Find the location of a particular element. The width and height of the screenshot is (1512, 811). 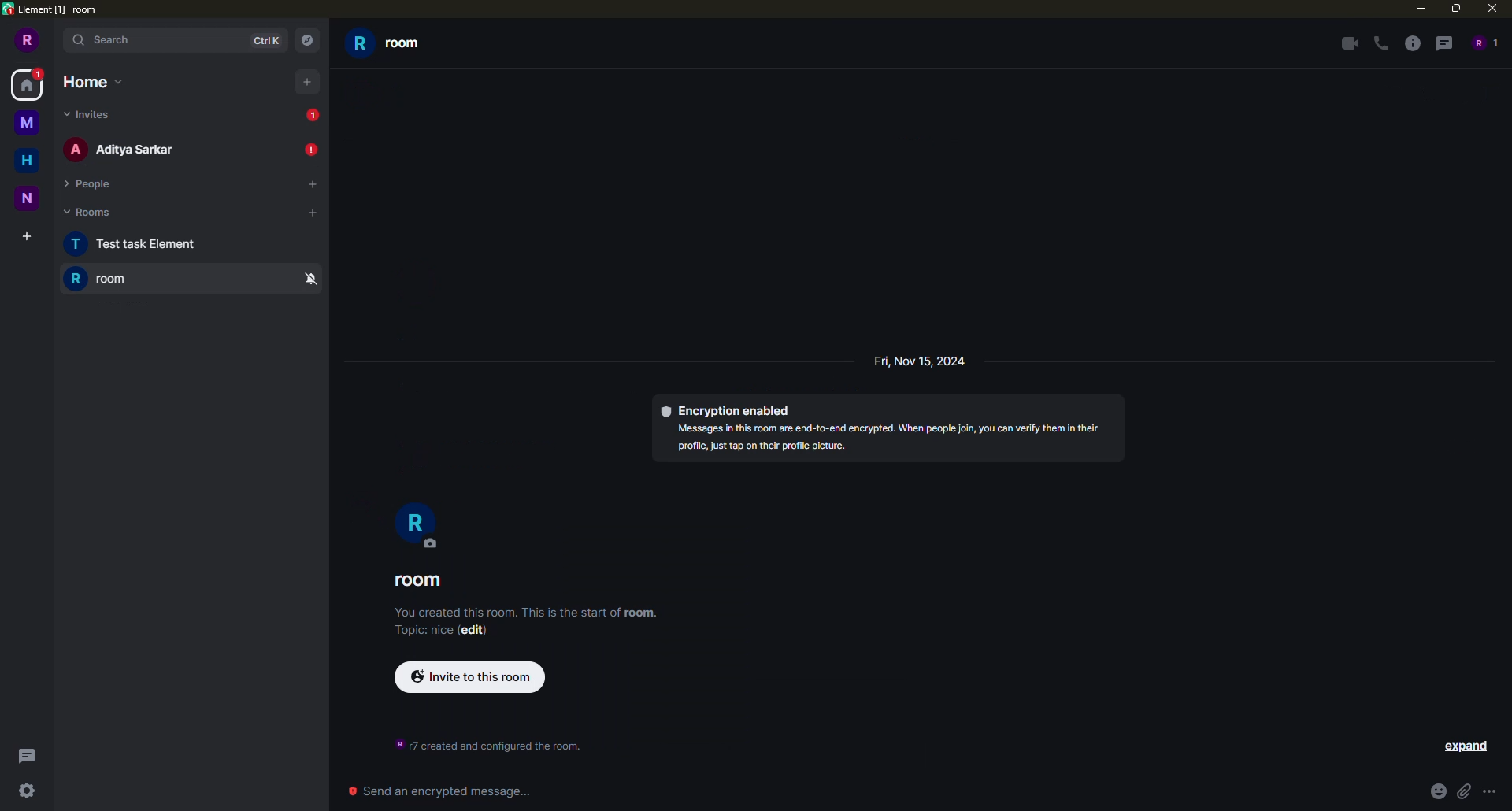

myspace is located at coordinates (28, 123).